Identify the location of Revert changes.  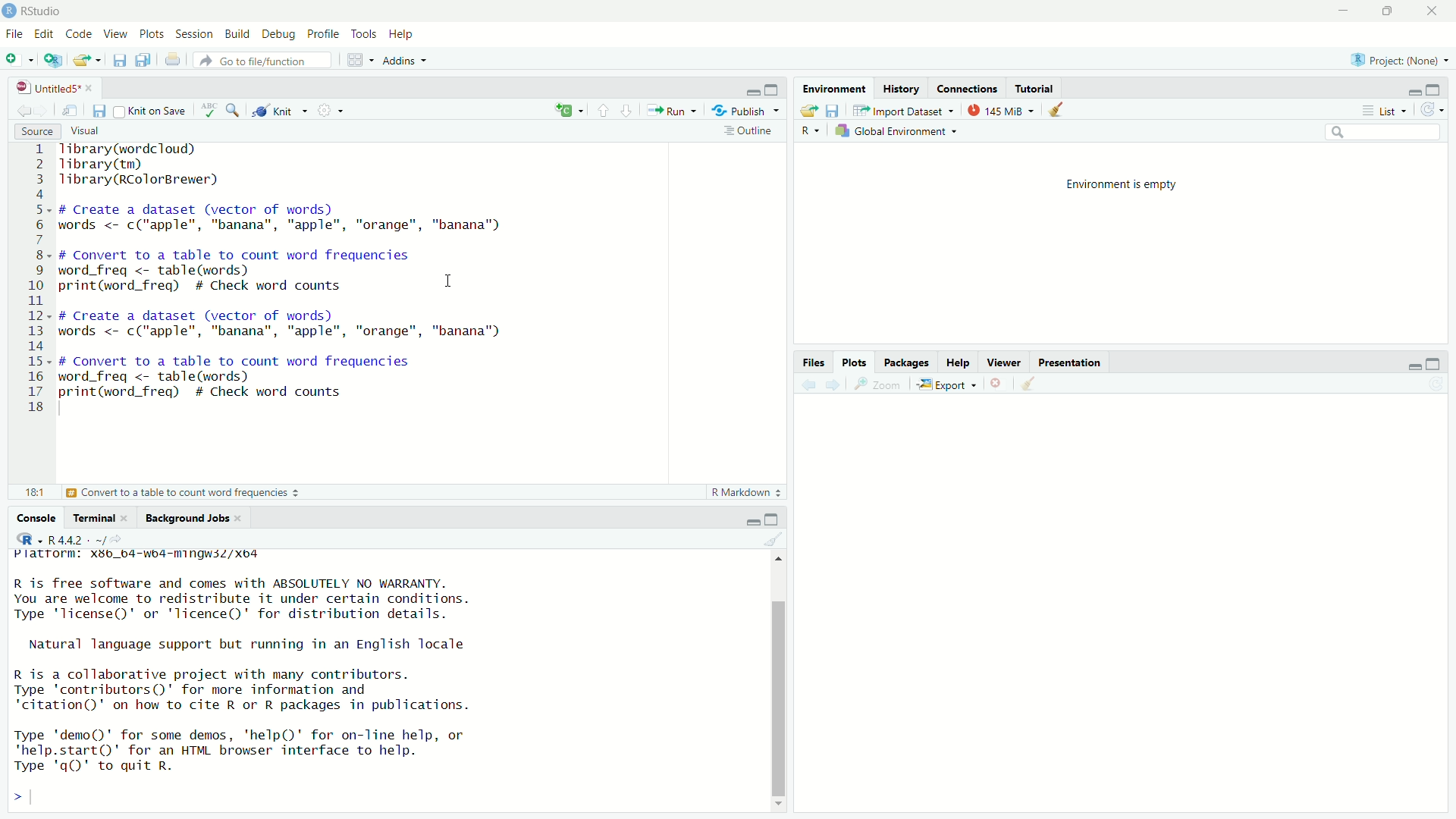
(1430, 110).